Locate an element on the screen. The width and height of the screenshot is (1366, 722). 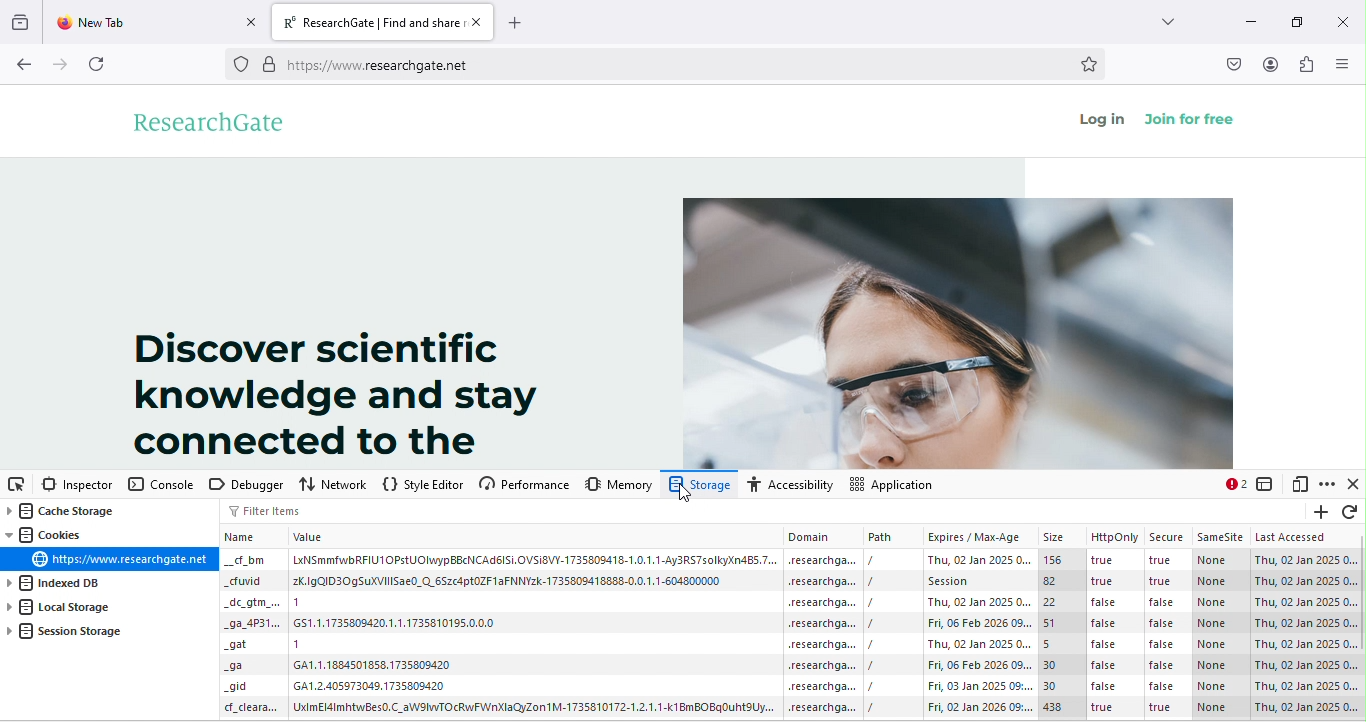
30 is located at coordinates (1050, 665).